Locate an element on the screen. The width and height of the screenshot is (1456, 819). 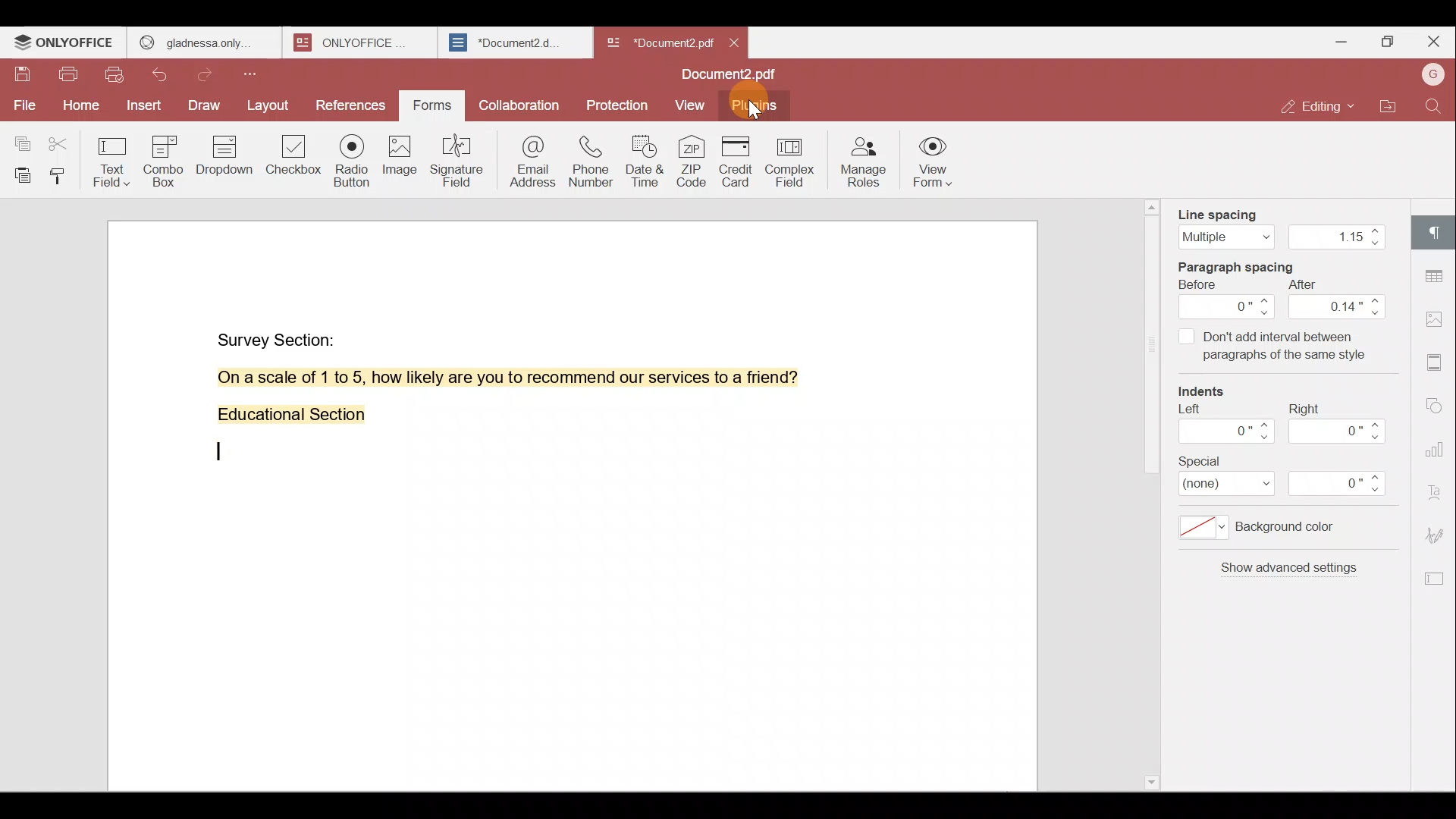
Table settings is located at coordinates (1436, 272).